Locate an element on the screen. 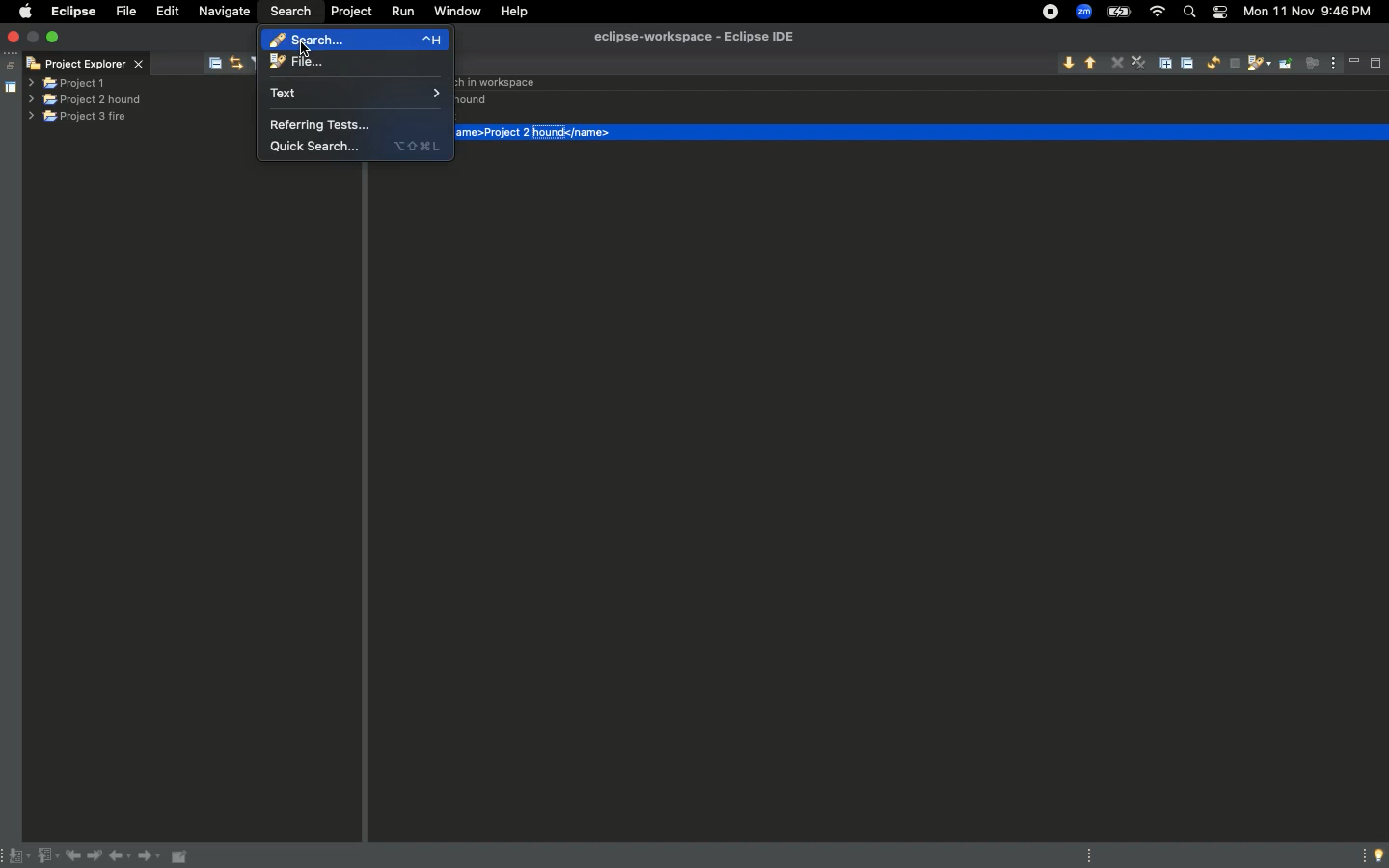  Show previous searches is located at coordinates (1258, 66).